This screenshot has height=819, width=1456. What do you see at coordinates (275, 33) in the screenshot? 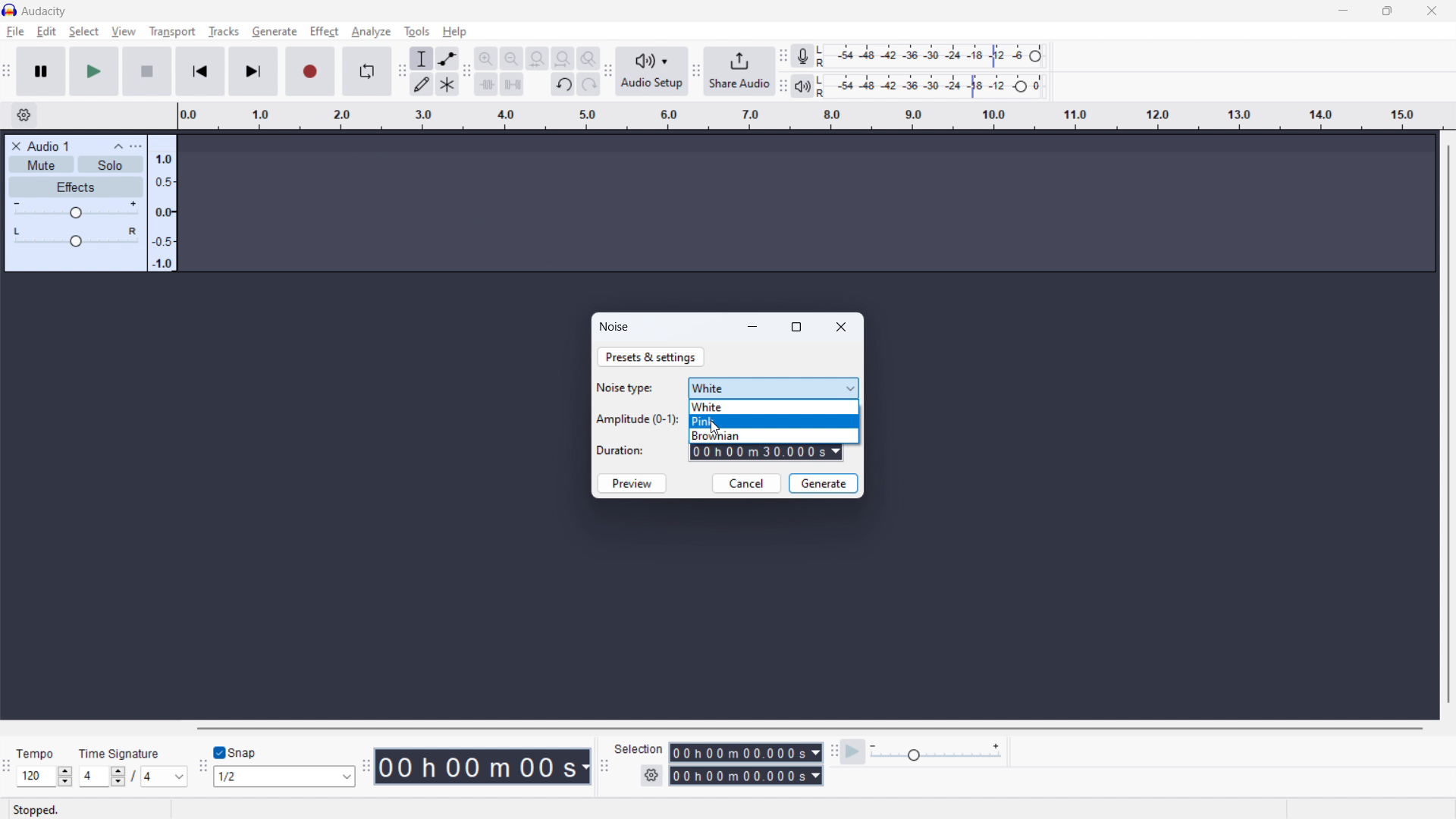
I see `Cursor on generate` at bounding box center [275, 33].